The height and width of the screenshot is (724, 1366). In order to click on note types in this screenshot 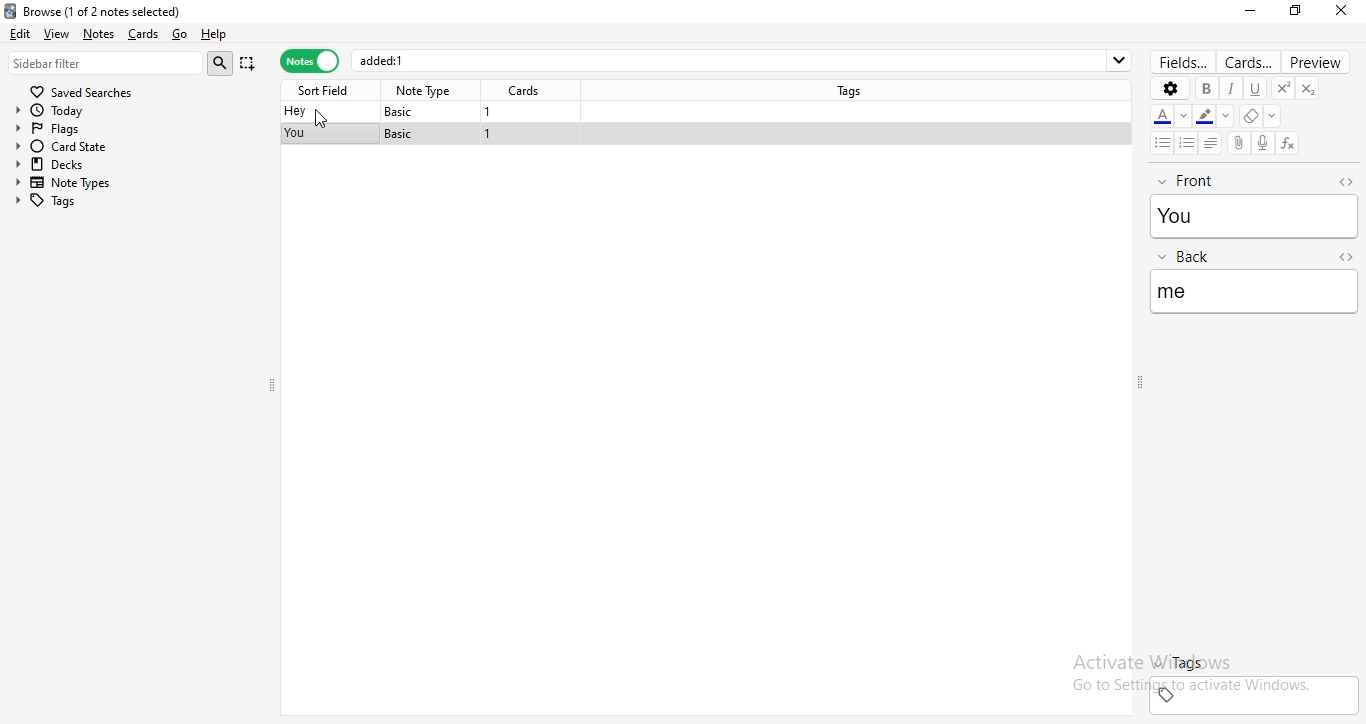, I will do `click(68, 183)`.